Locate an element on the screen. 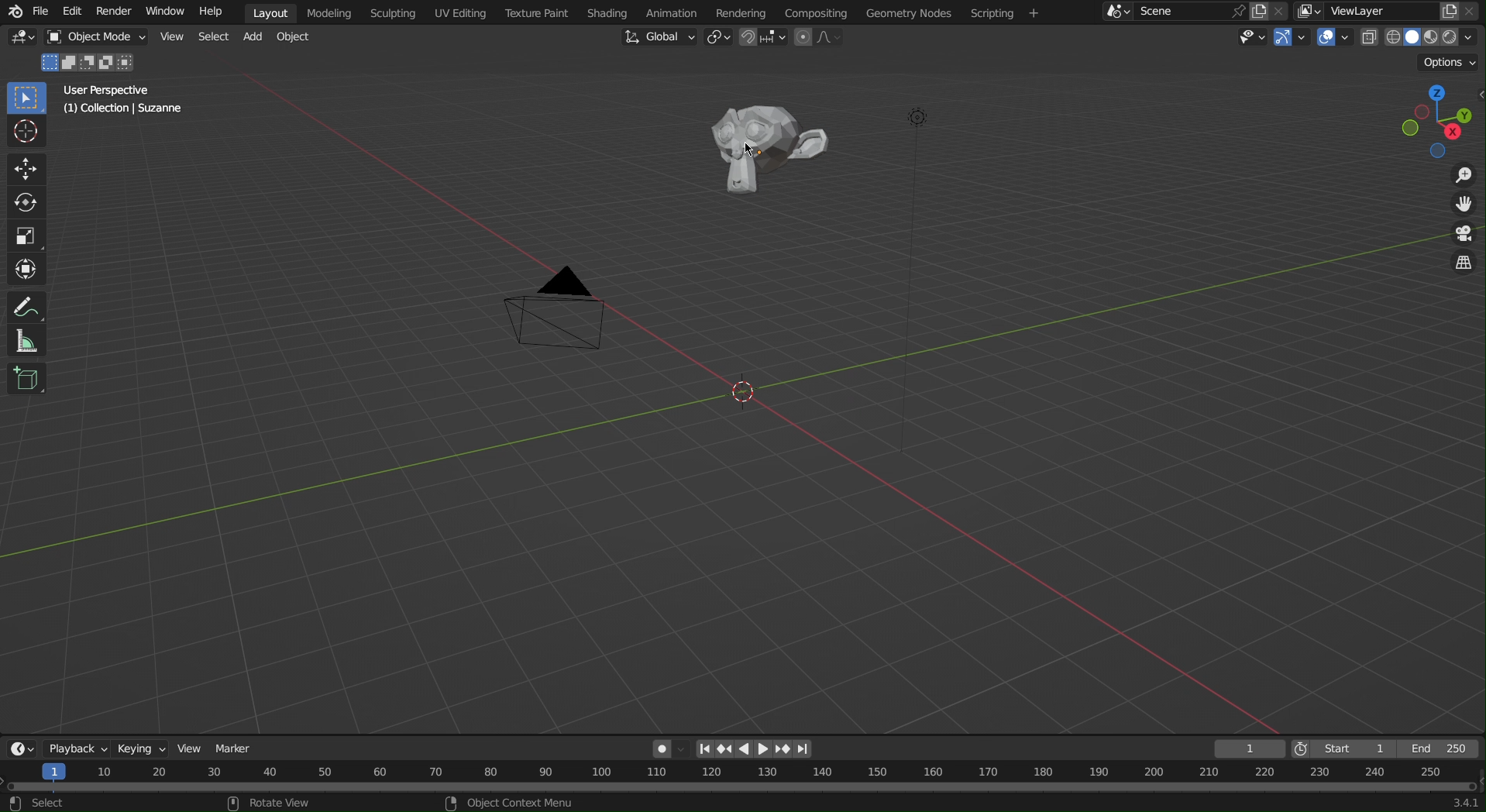  Sculpting is located at coordinates (389, 15).